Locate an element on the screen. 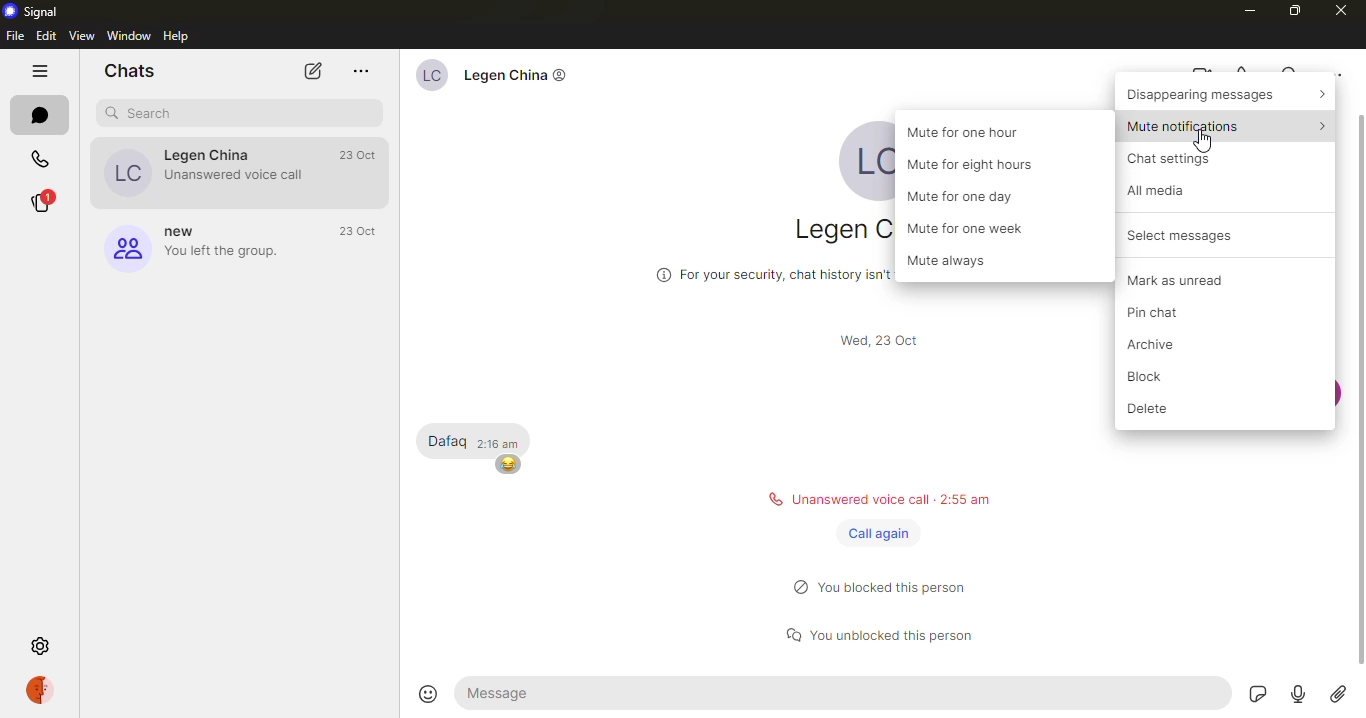 The image size is (1366, 718). close is located at coordinates (1337, 9).